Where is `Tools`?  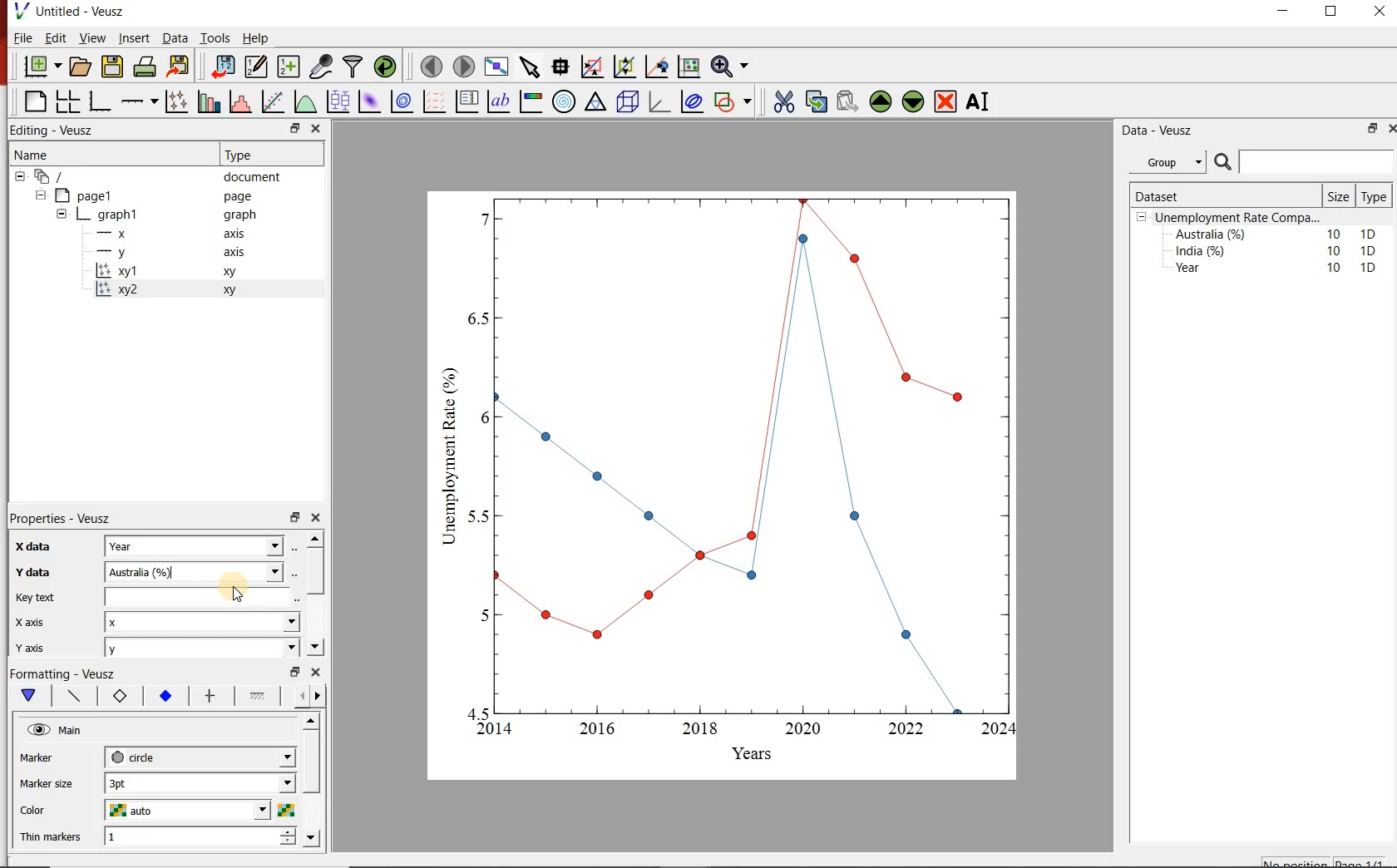
Tools is located at coordinates (216, 37).